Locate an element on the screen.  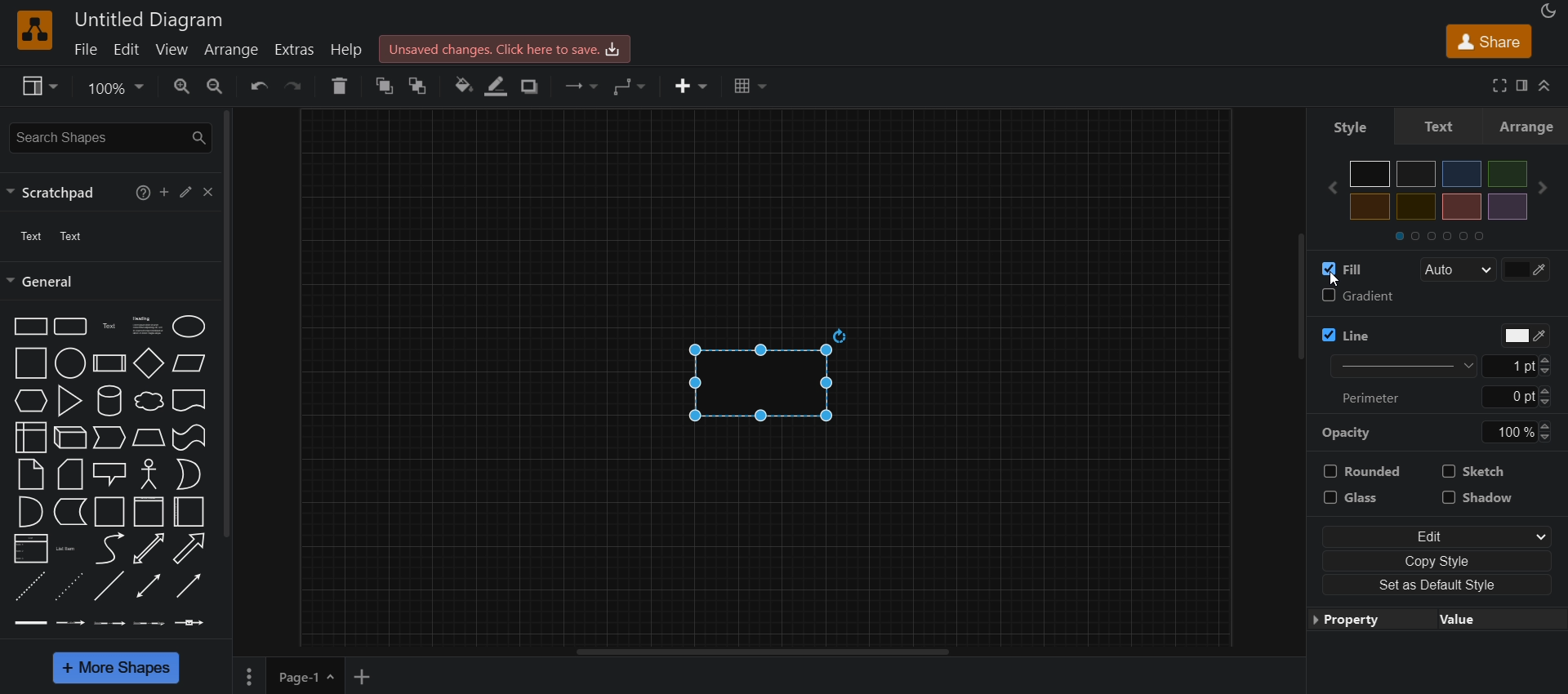
current line width is located at coordinates (1510, 366).